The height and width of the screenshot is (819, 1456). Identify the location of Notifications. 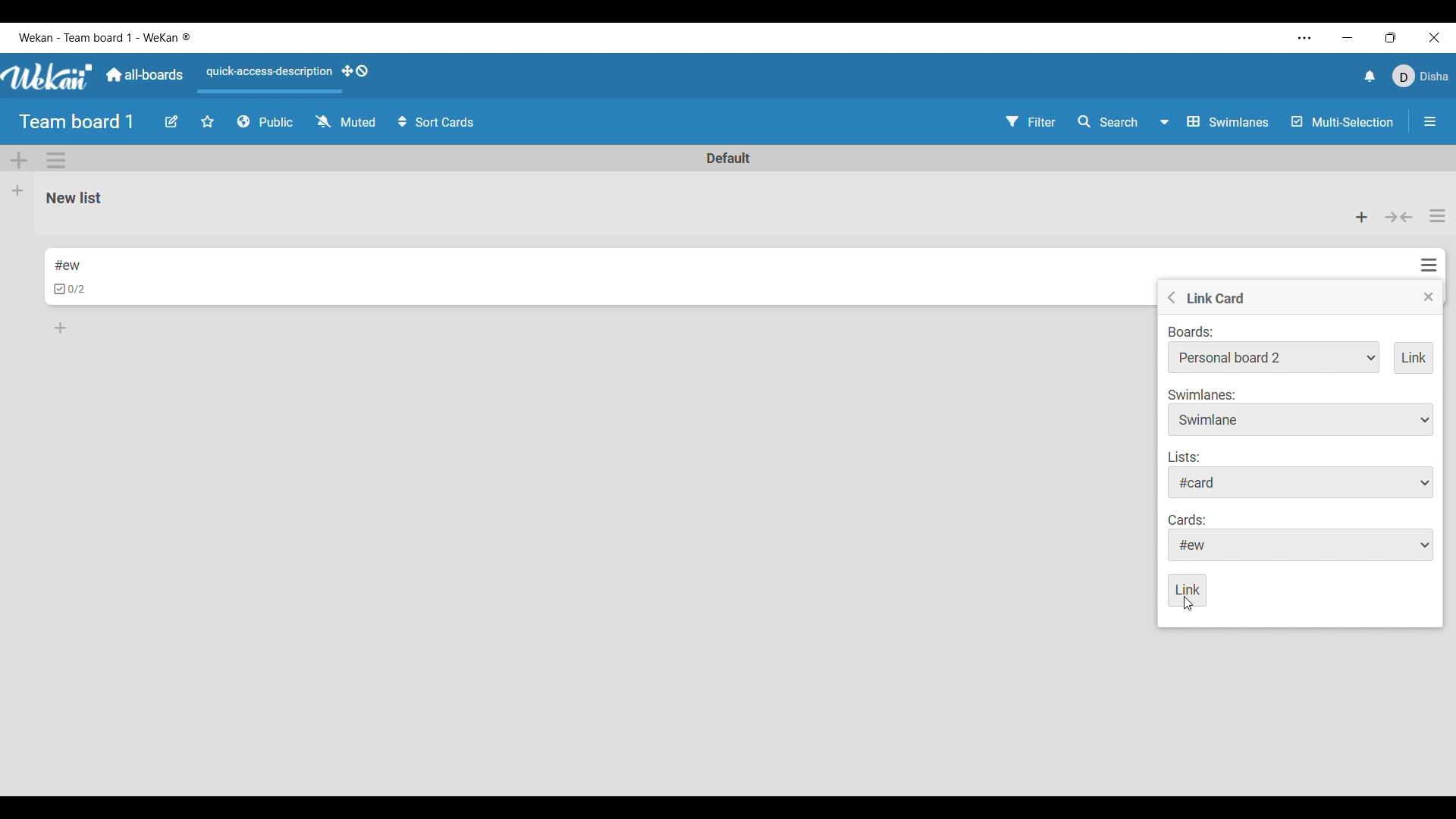
(1370, 76).